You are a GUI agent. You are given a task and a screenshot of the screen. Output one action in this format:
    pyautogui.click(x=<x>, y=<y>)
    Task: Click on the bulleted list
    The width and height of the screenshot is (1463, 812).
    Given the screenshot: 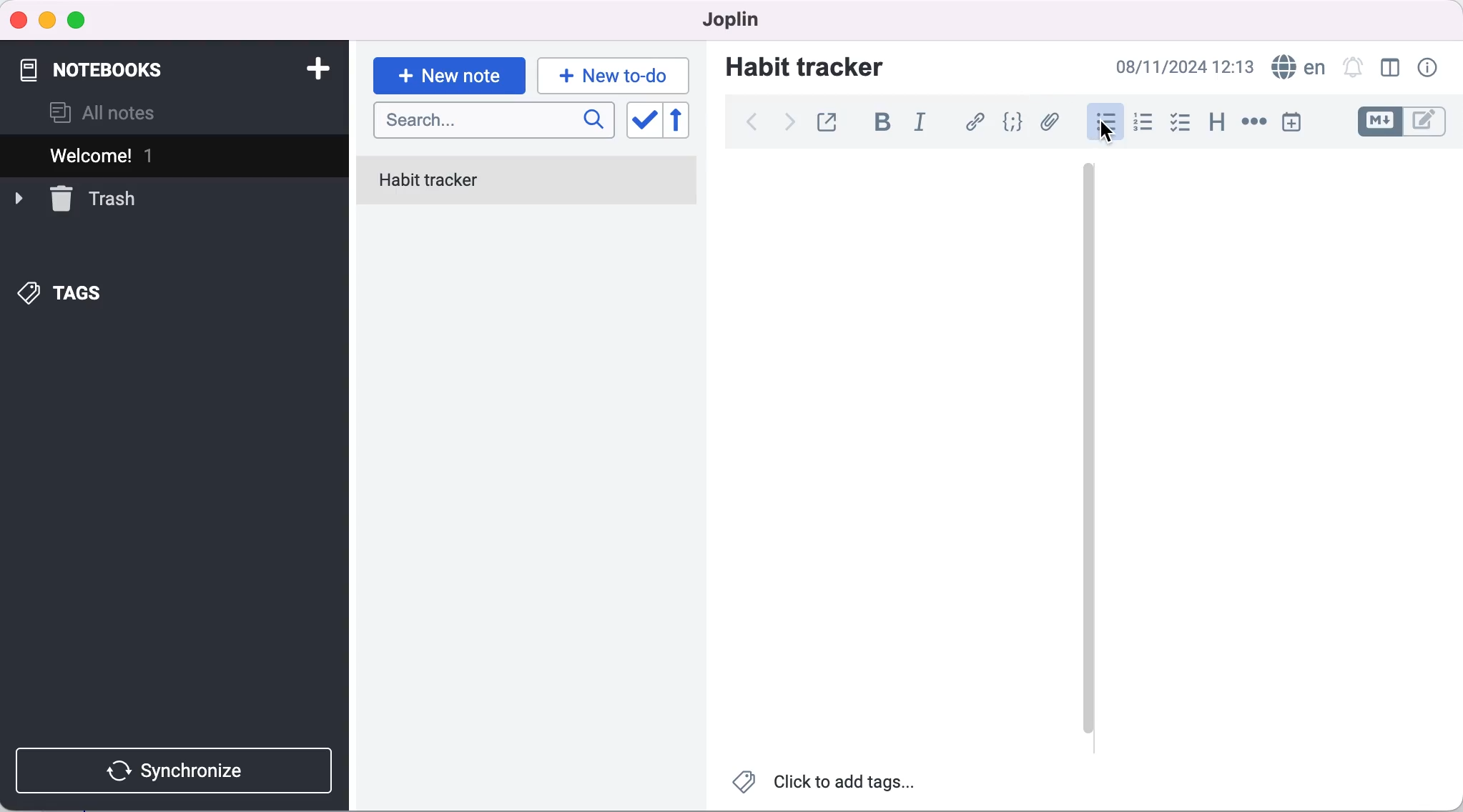 What is the action you would take?
    pyautogui.click(x=1101, y=124)
    